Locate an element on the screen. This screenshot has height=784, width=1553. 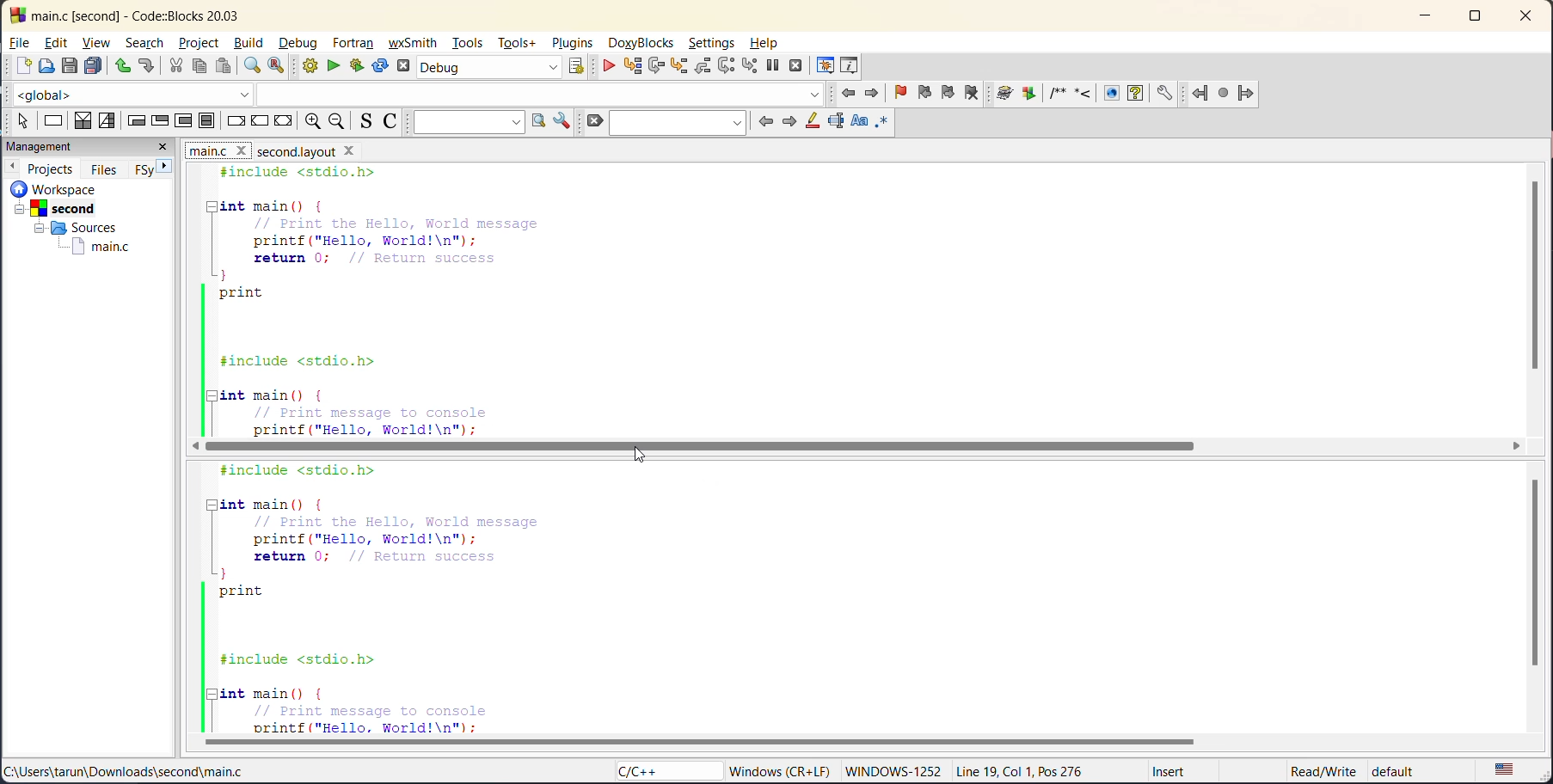
step into is located at coordinates (682, 67).